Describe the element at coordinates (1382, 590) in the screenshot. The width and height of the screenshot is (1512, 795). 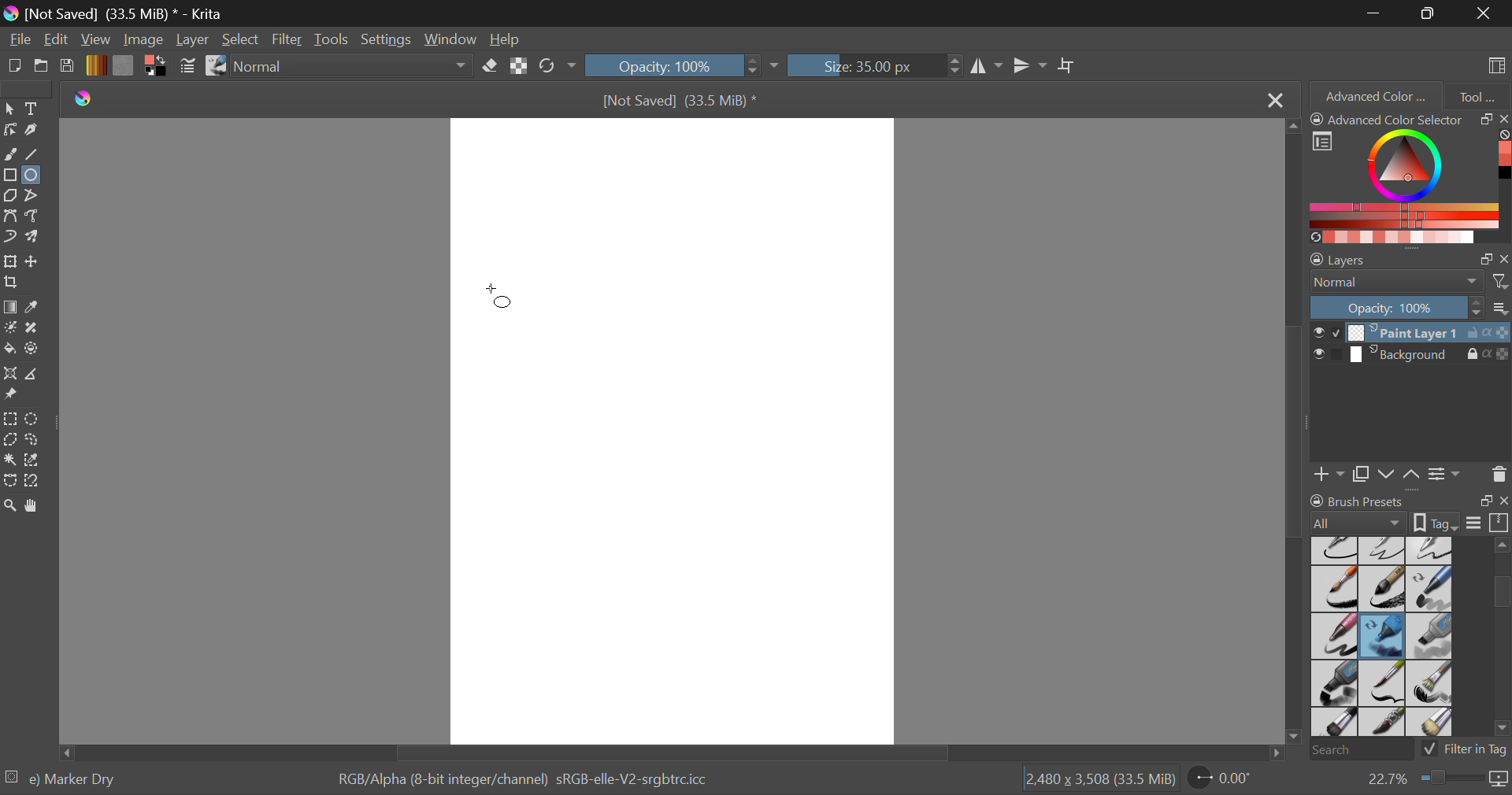
I see `Ink-8 Sumi-e` at that location.